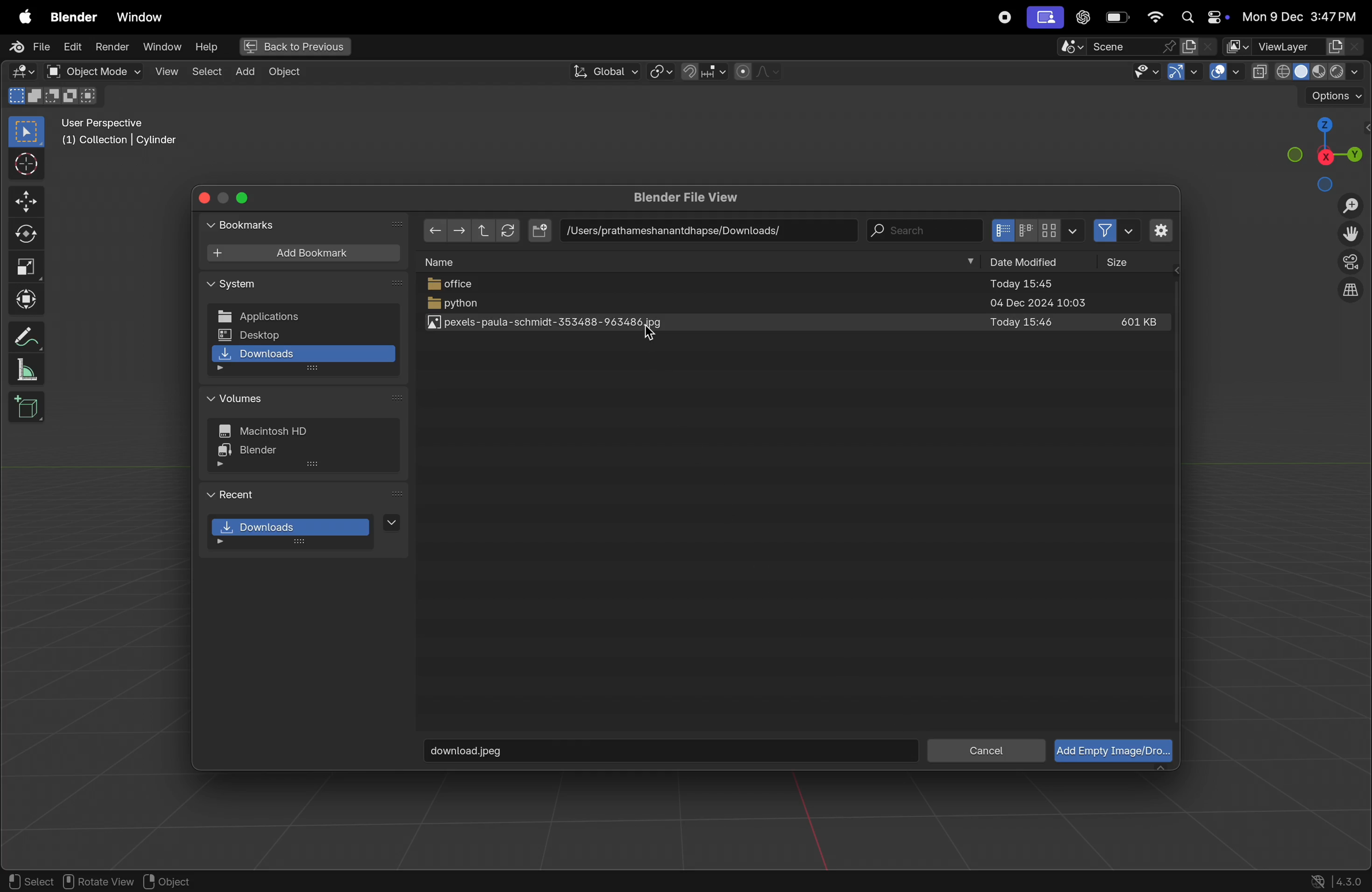 The width and height of the screenshot is (1372, 892). What do you see at coordinates (244, 73) in the screenshot?
I see `add` at bounding box center [244, 73].